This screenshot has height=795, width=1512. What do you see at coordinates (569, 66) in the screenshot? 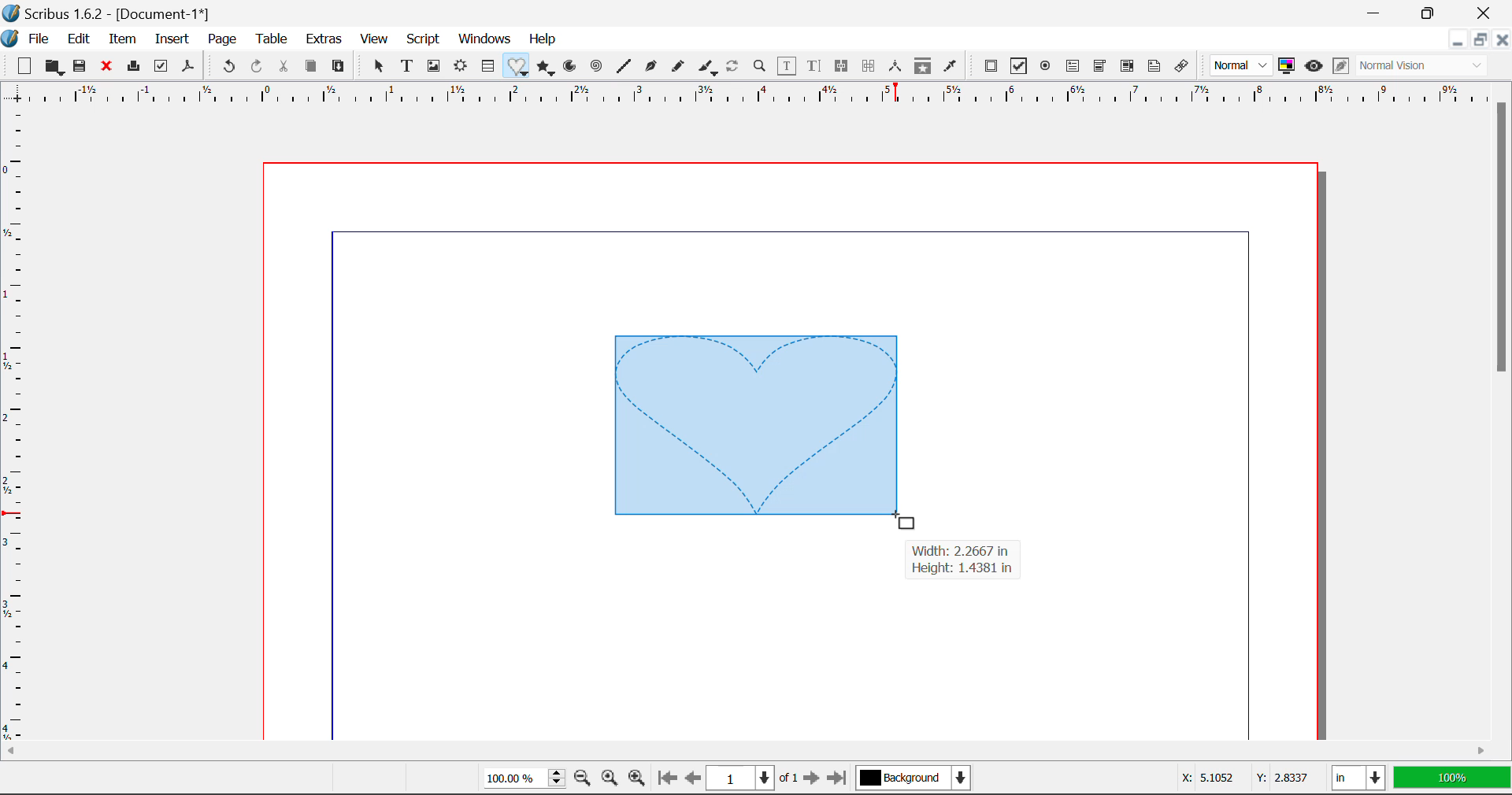
I see `Arcs` at bounding box center [569, 66].